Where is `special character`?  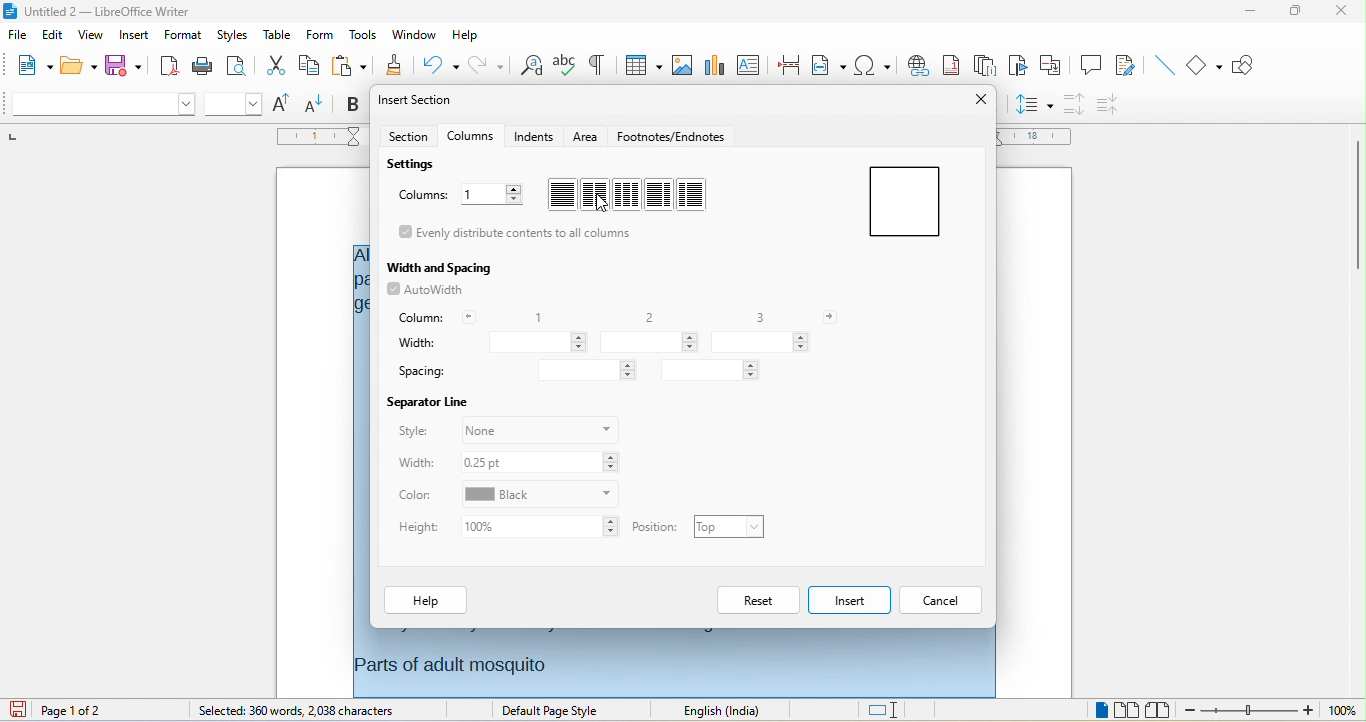
special character is located at coordinates (875, 65).